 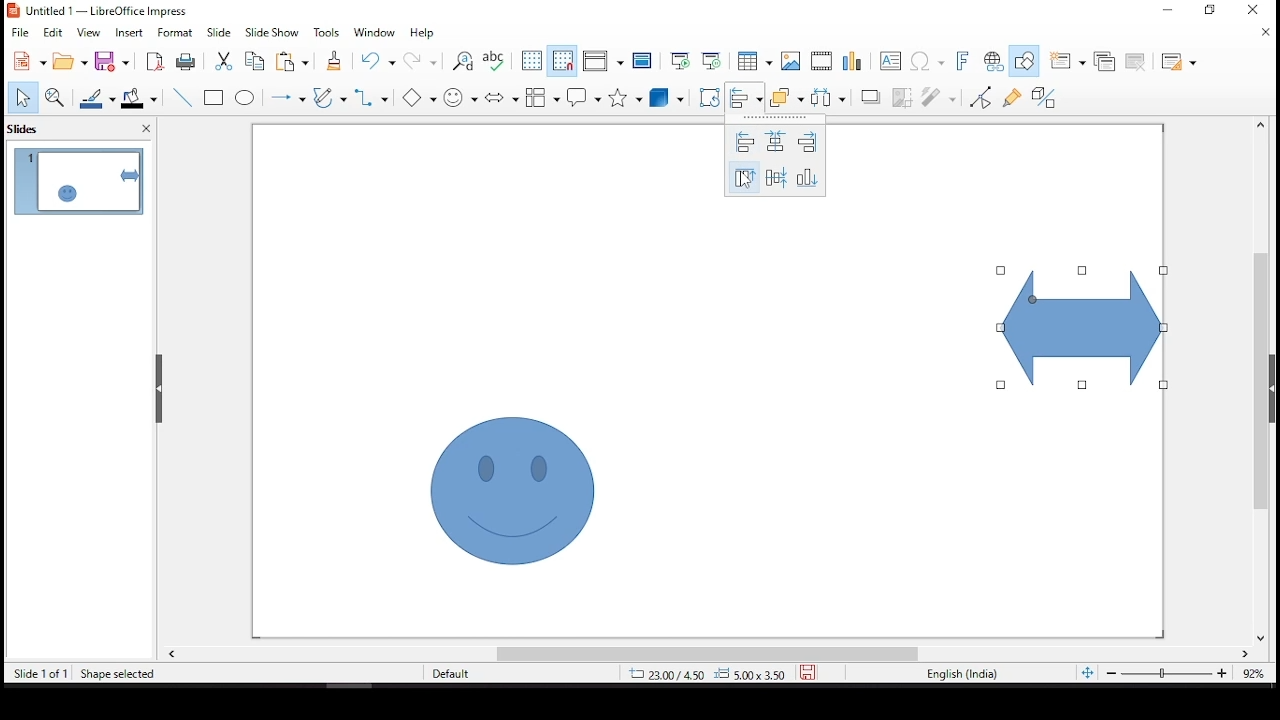 I want to click on undo, so click(x=382, y=61).